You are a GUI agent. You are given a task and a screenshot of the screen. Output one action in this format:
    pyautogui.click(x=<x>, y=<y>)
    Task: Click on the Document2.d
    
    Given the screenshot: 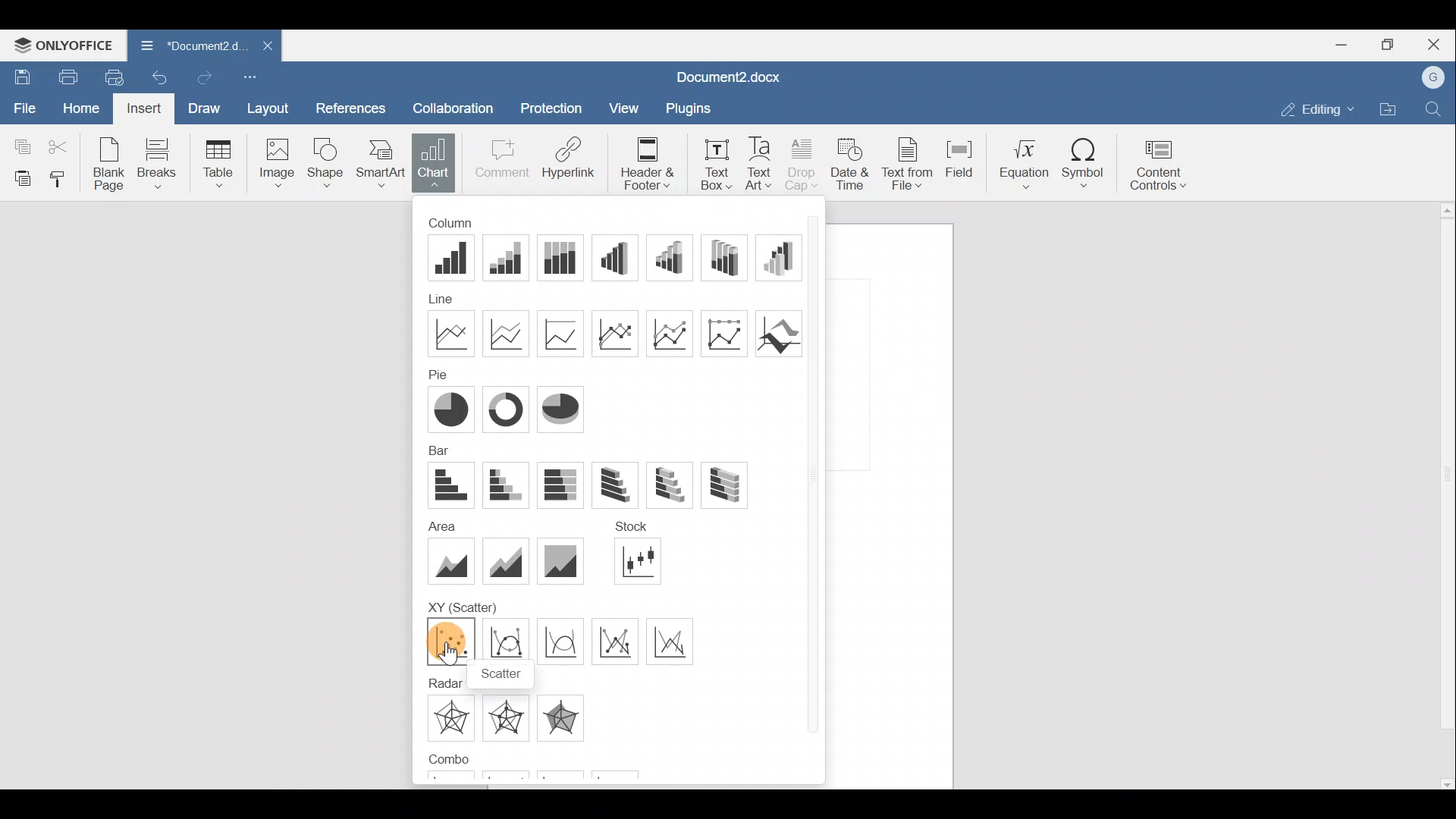 What is the action you would take?
    pyautogui.click(x=188, y=44)
    